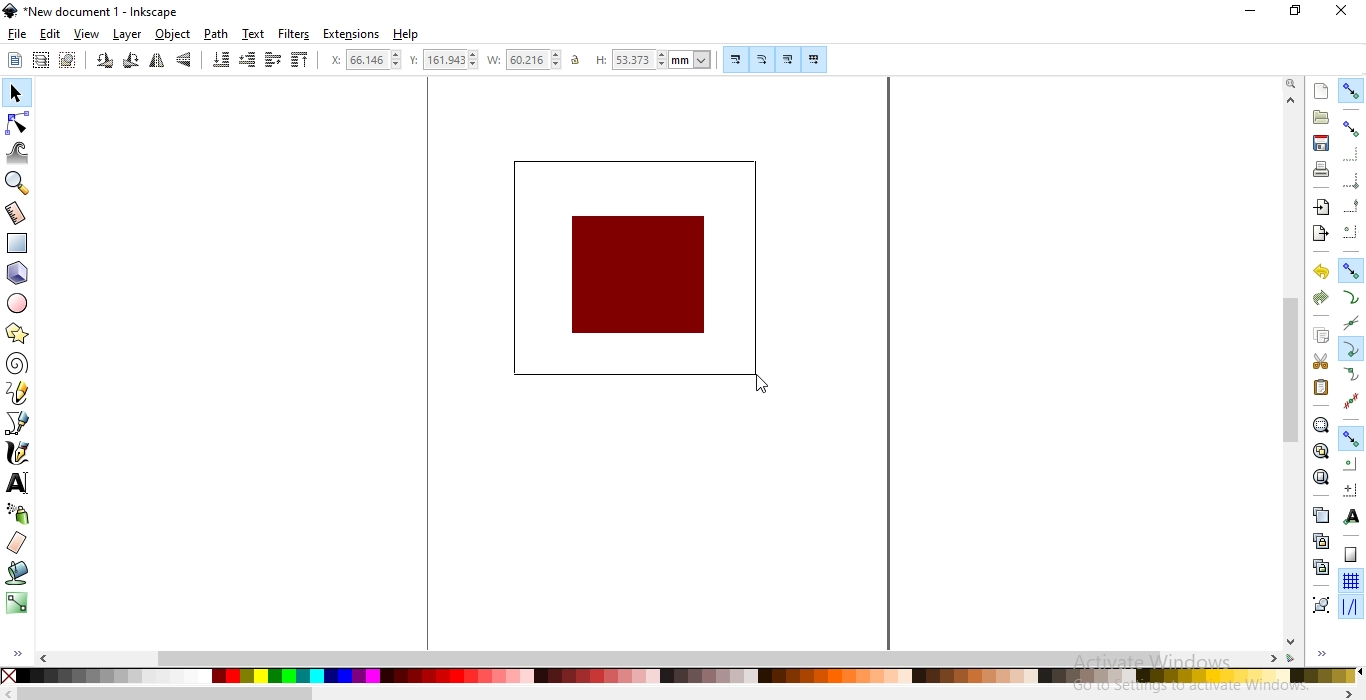 This screenshot has width=1366, height=700. What do you see at coordinates (16, 453) in the screenshot?
I see `draw calligraphic or brush strokes` at bounding box center [16, 453].